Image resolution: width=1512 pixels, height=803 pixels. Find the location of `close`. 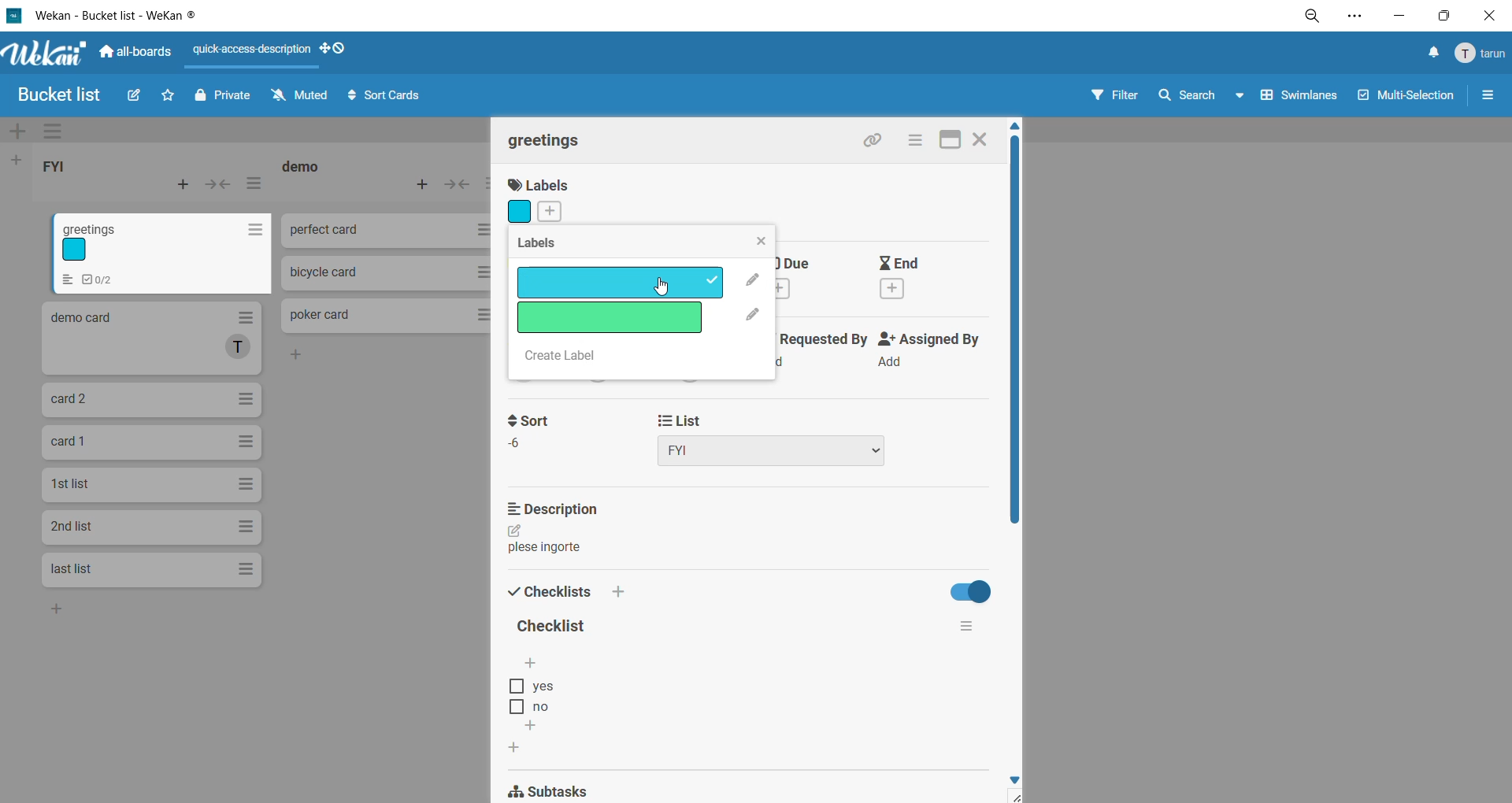

close is located at coordinates (764, 243).